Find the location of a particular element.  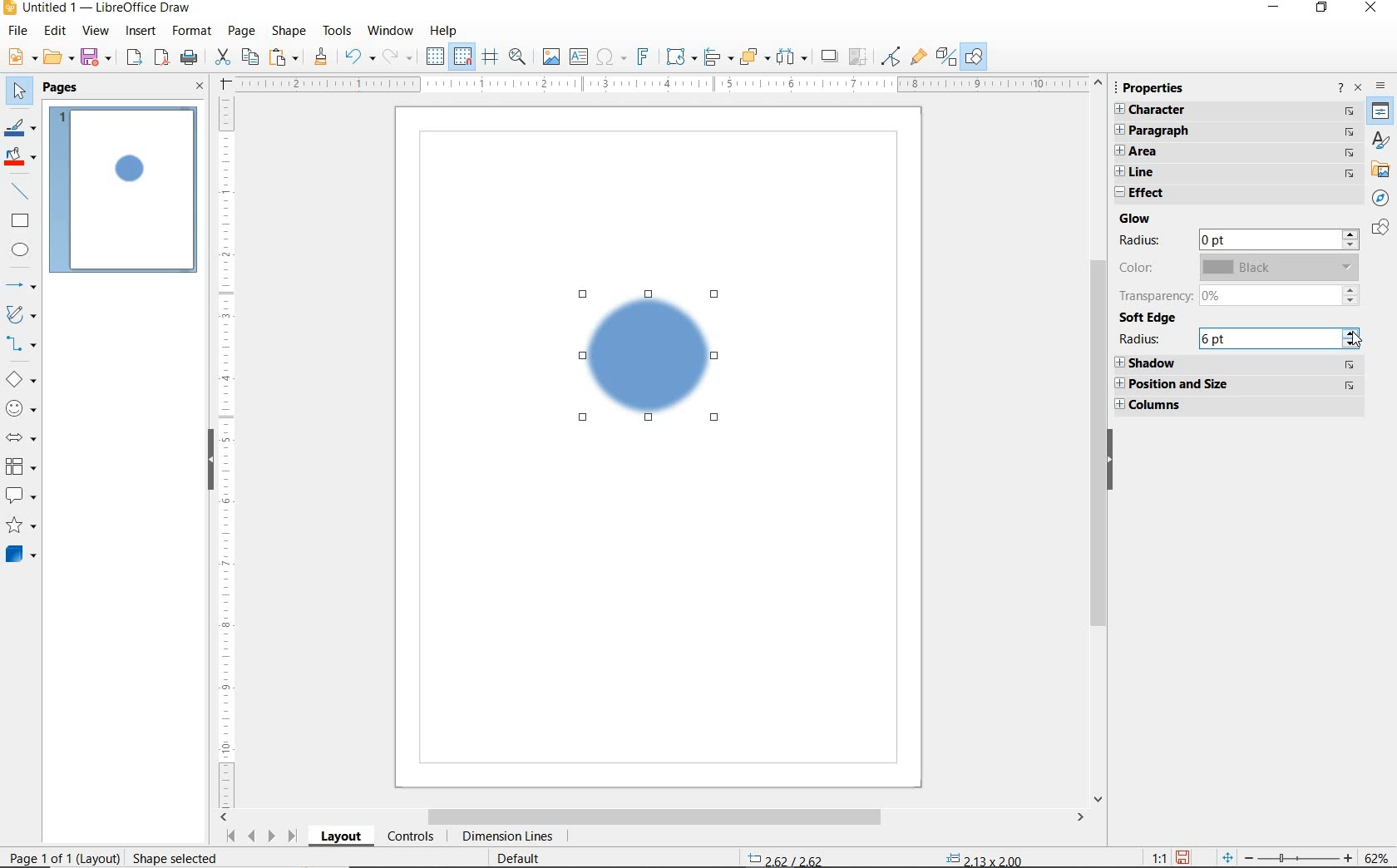

POSITION AND SIZE is located at coordinates (1237, 384).